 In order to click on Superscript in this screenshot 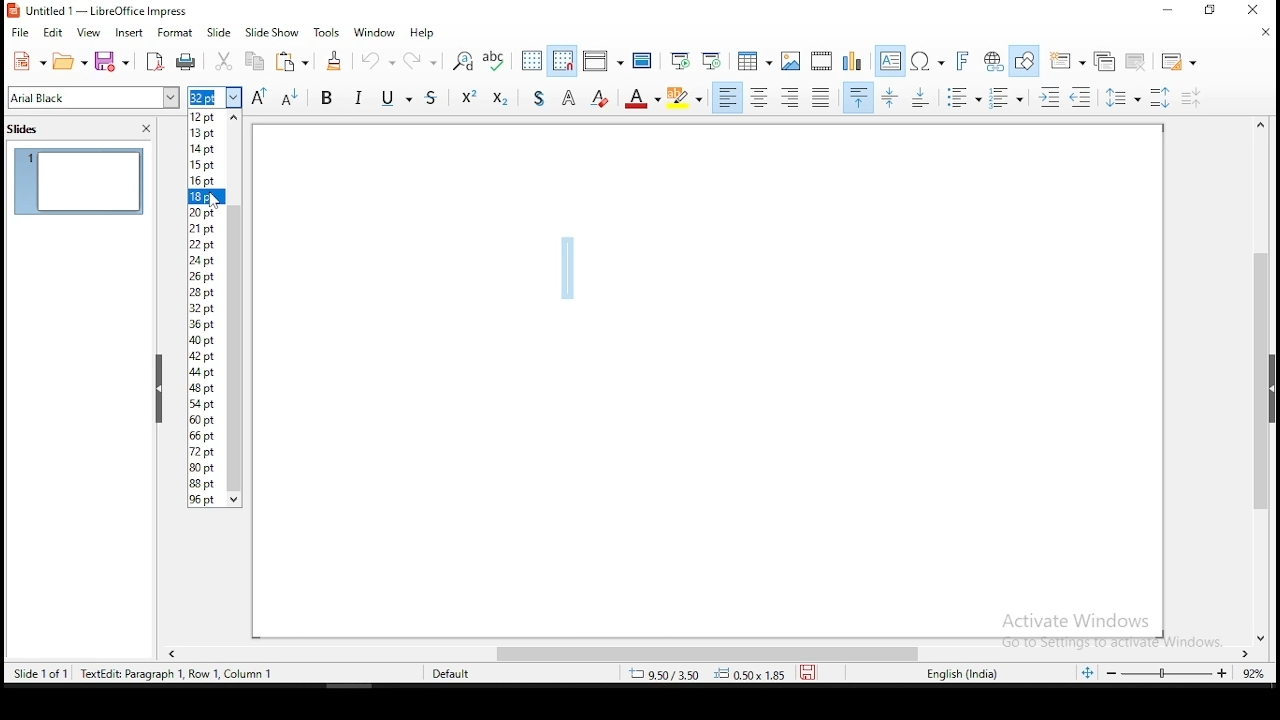, I will do `click(468, 95)`.